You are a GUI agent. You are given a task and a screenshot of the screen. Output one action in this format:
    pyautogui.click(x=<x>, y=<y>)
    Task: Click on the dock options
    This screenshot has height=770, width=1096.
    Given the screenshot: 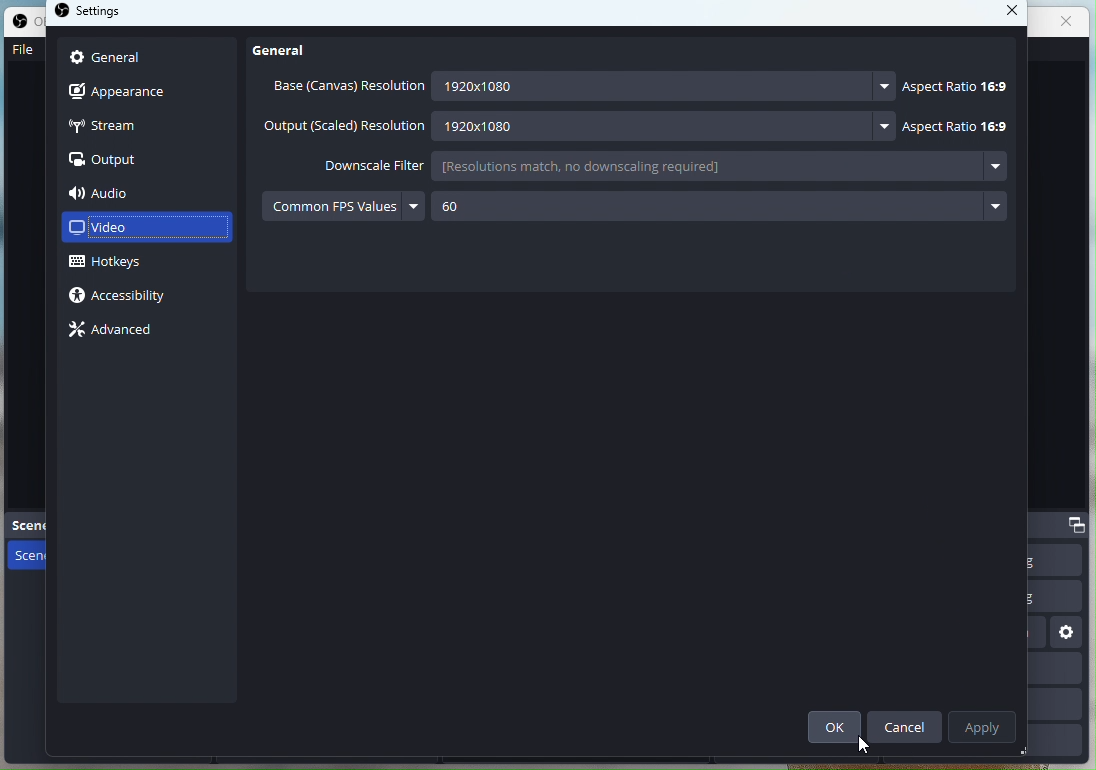 What is the action you would take?
    pyautogui.click(x=1078, y=524)
    